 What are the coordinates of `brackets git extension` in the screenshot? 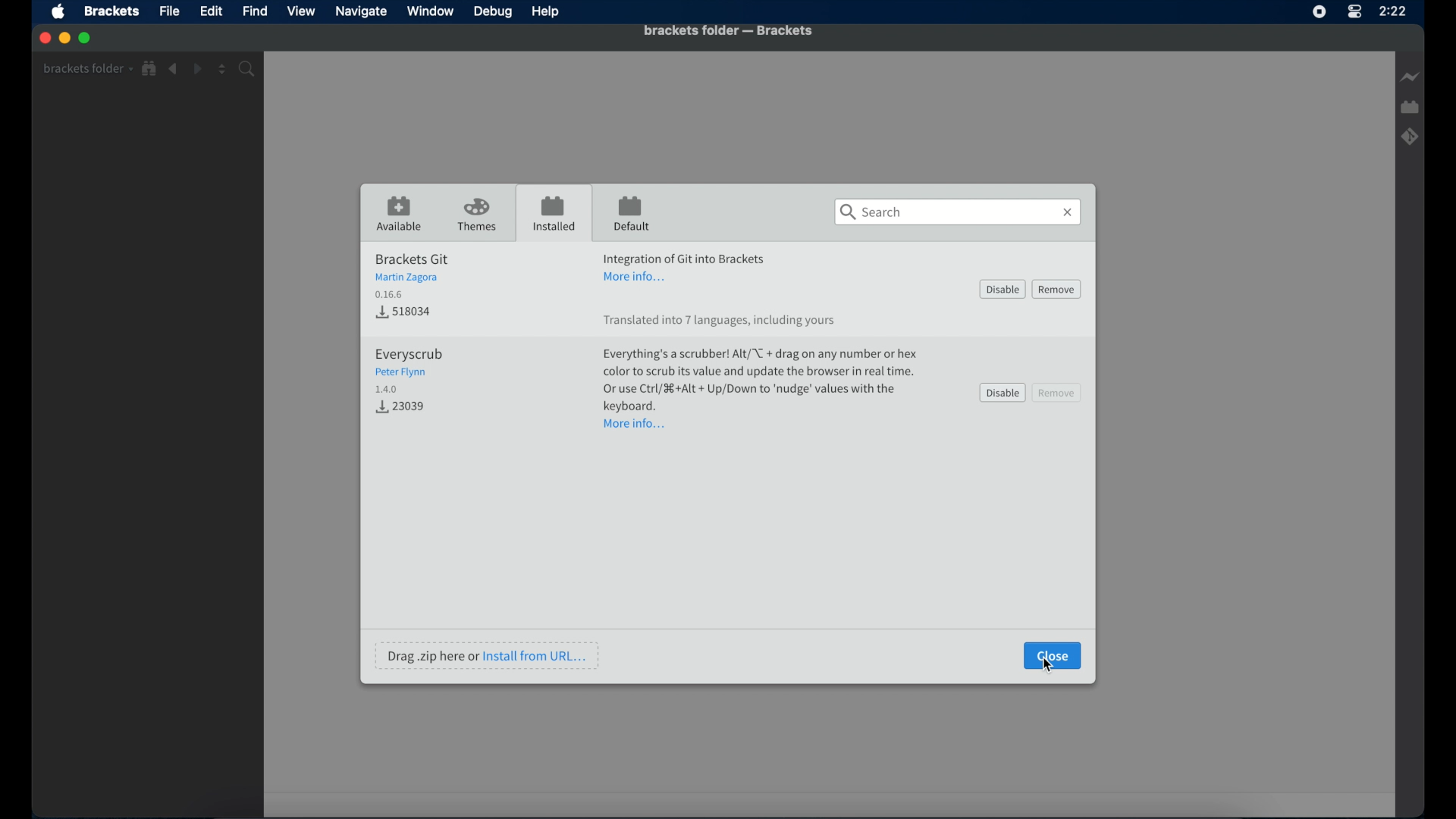 It's located at (412, 275).